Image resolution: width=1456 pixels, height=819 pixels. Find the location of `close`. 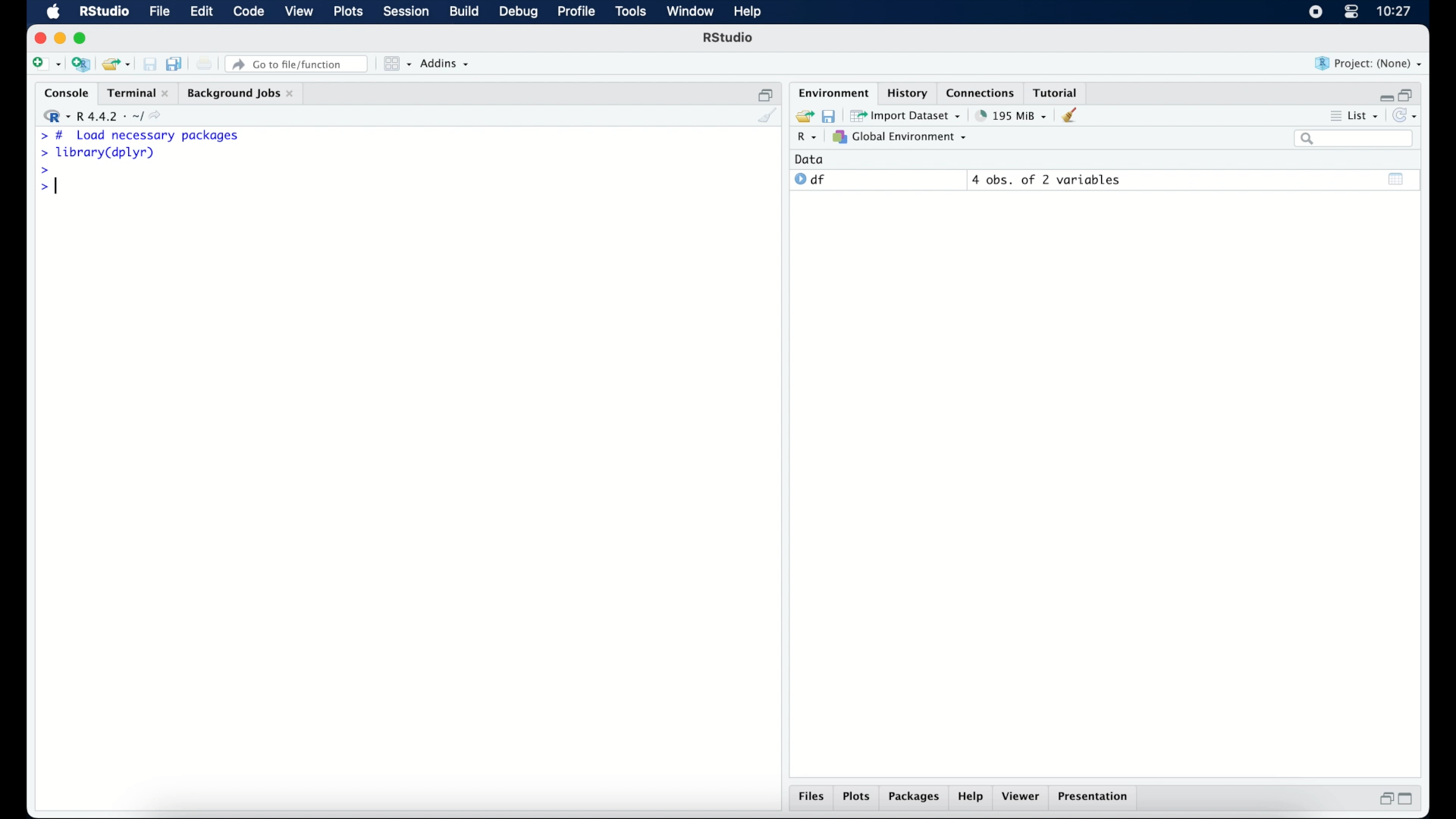

close is located at coordinates (40, 38).